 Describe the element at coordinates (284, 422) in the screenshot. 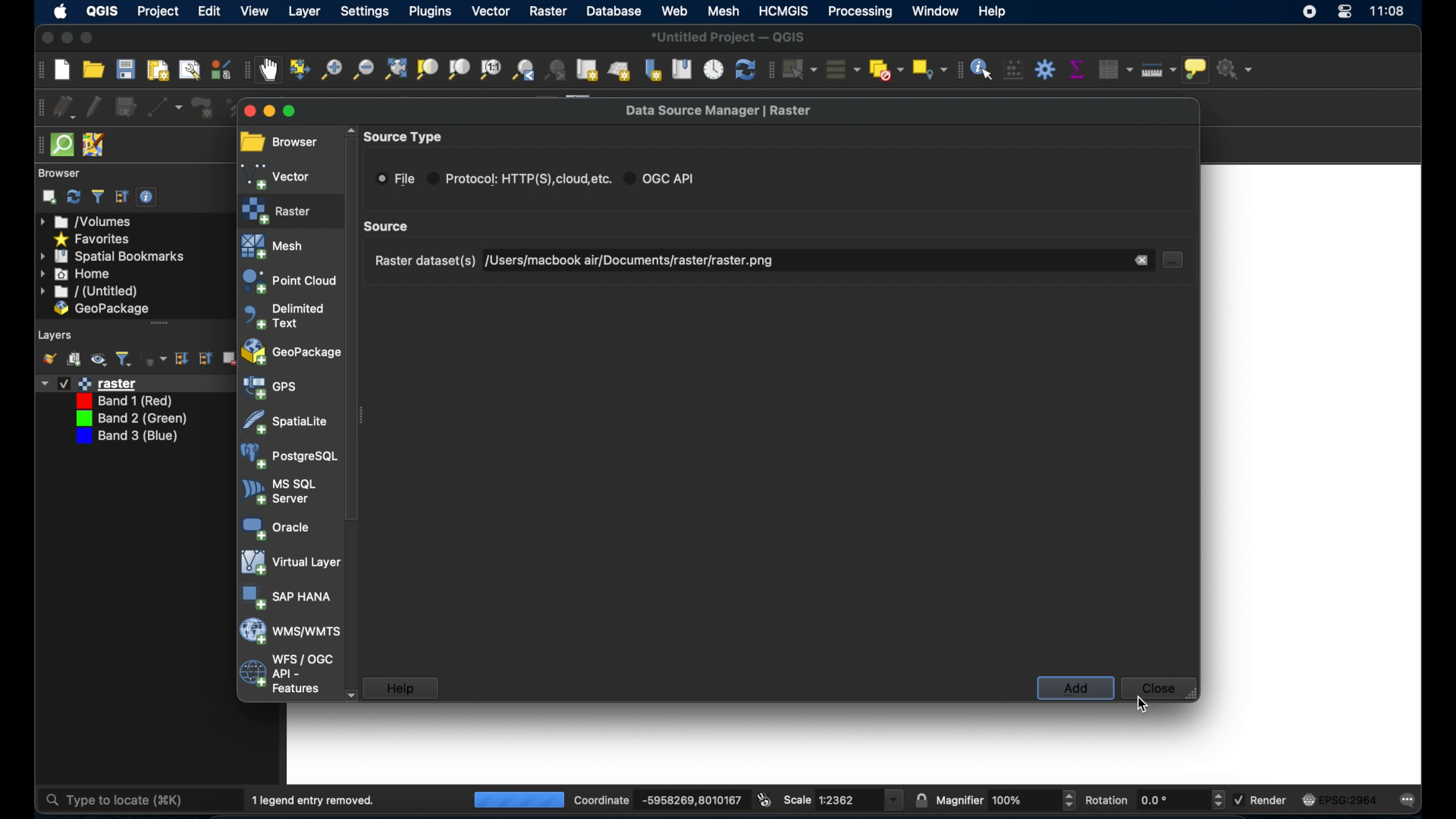

I see `spatiallite` at that location.